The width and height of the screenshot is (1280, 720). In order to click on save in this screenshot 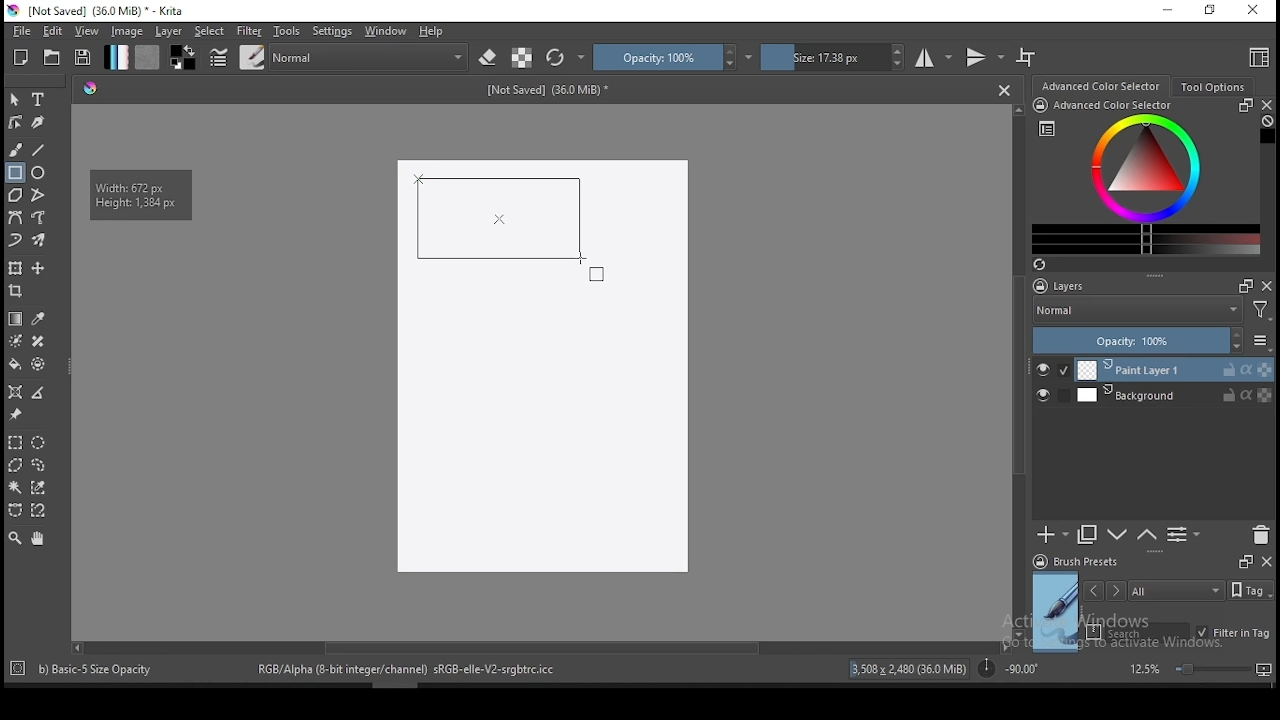, I will do `click(83, 58)`.